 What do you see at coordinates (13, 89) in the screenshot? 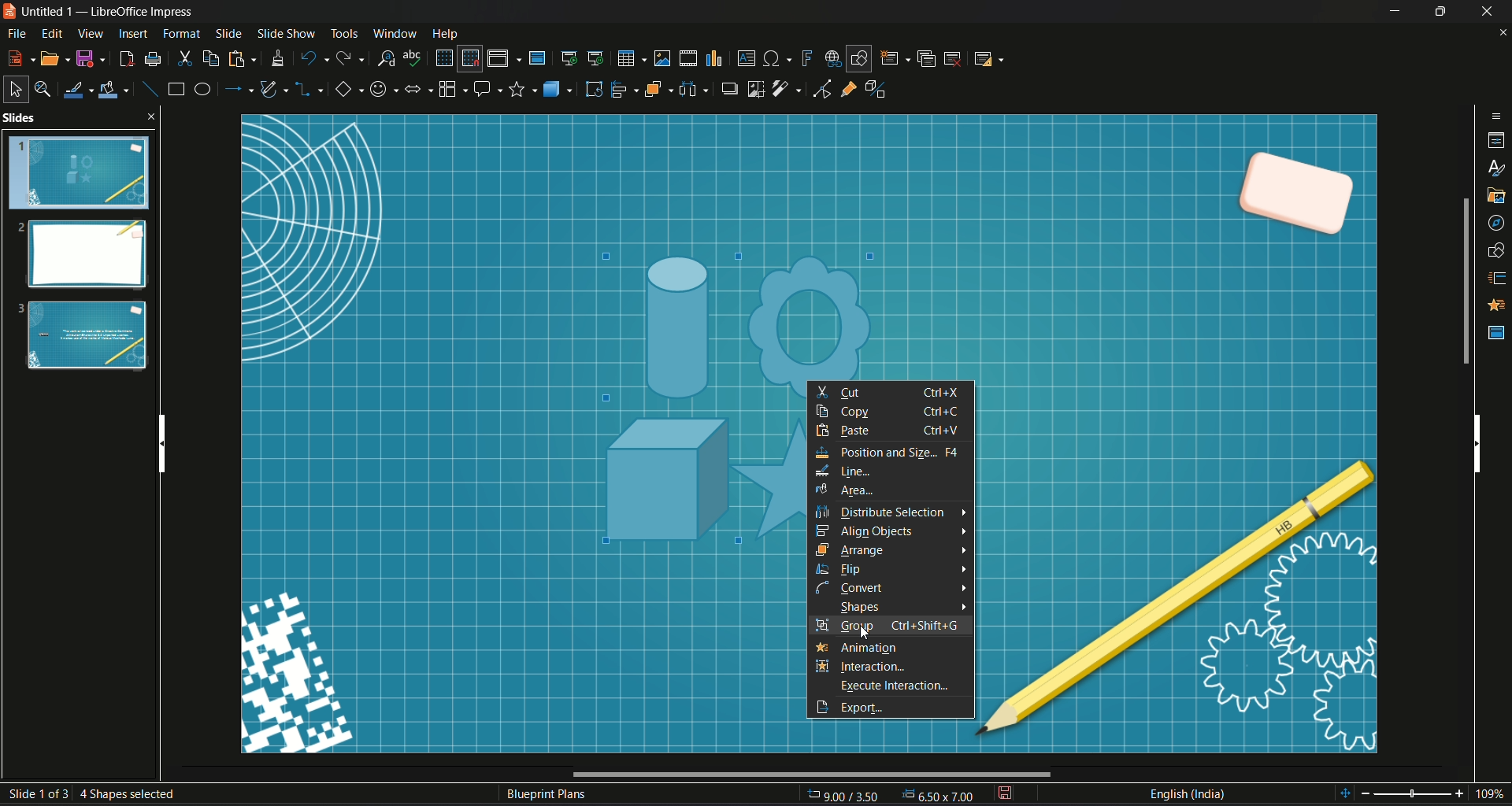
I see `select` at bounding box center [13, 89].